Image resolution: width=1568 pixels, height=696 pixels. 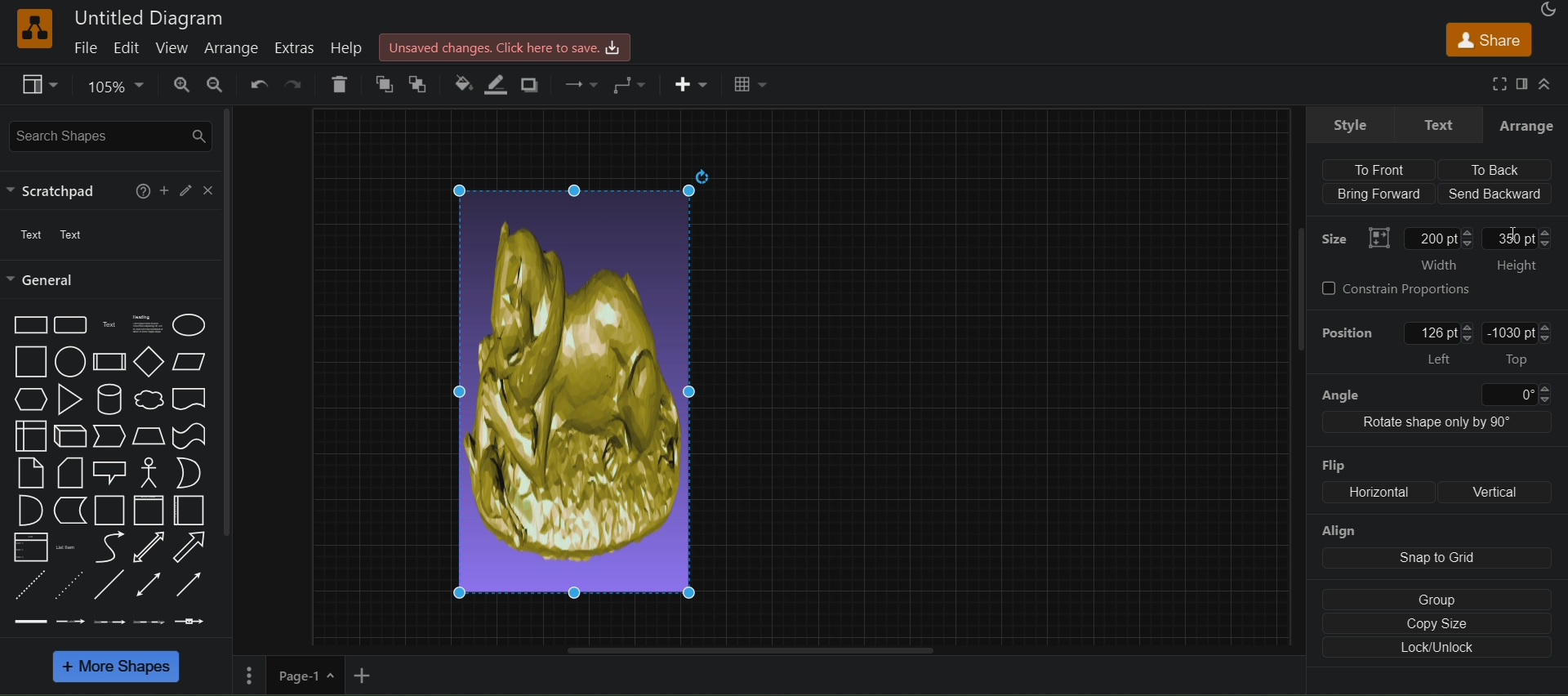 I want to click on zoom out, so click(x=213, y=85).